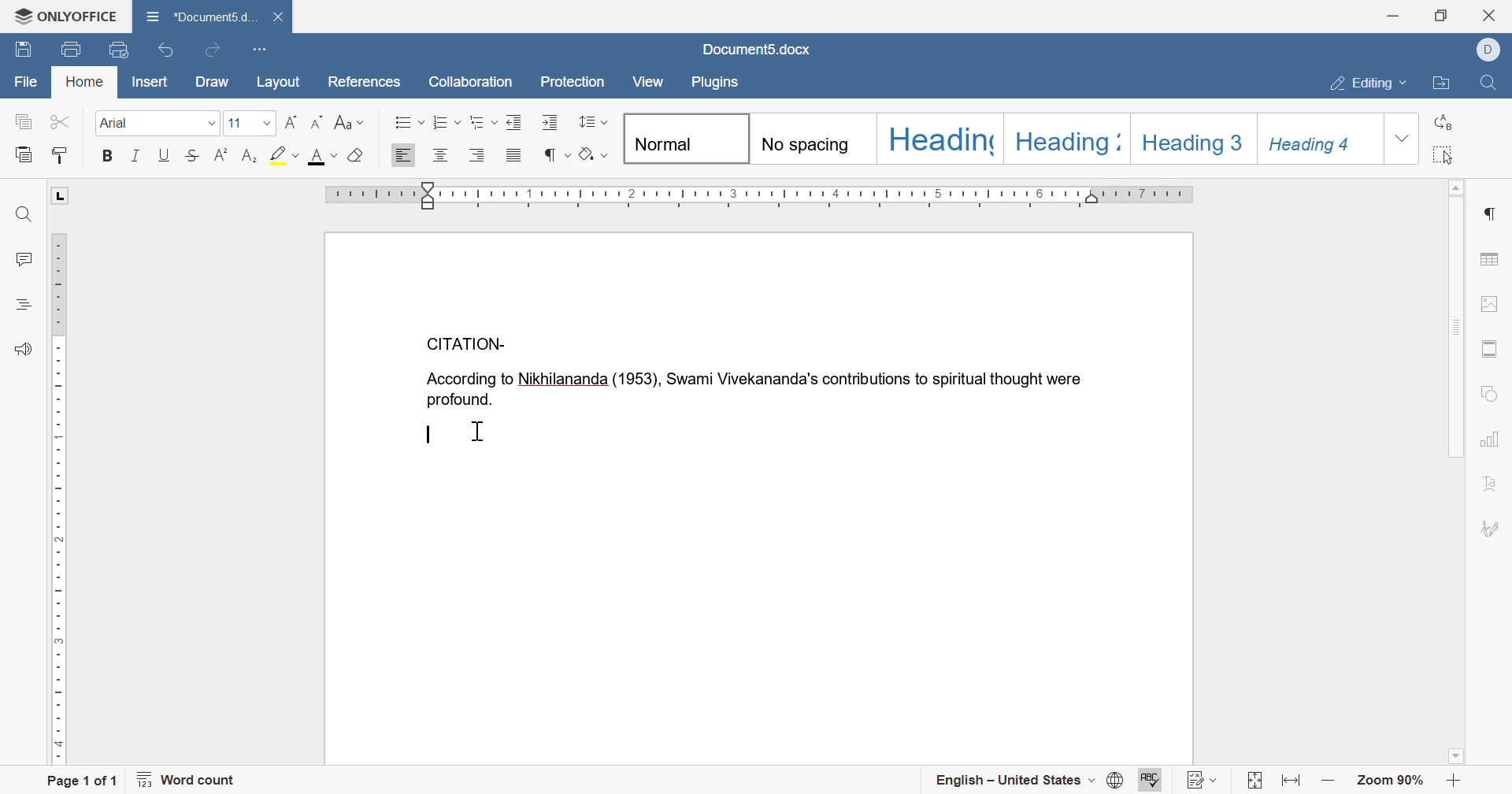  I want to click on print, so click(70, 49).